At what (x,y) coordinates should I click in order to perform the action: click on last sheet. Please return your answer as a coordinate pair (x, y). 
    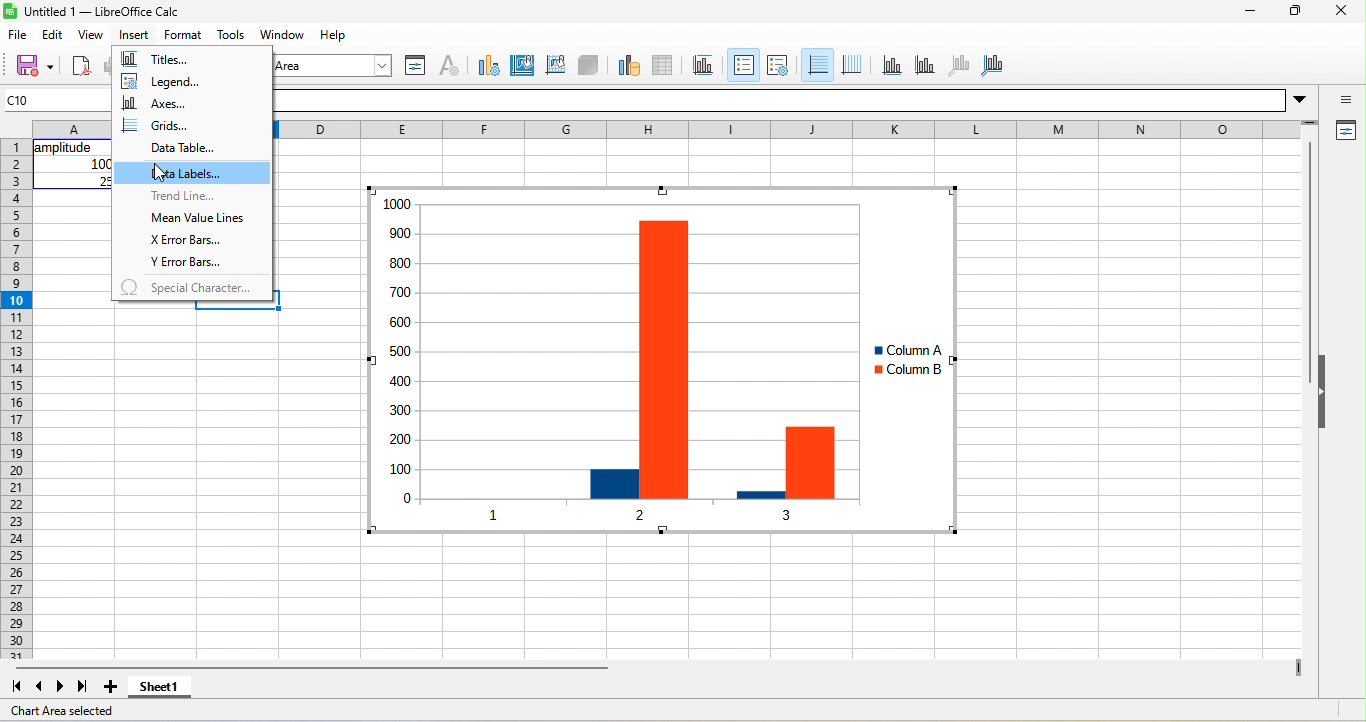
    Looking at the image, I should click on (83, 687).